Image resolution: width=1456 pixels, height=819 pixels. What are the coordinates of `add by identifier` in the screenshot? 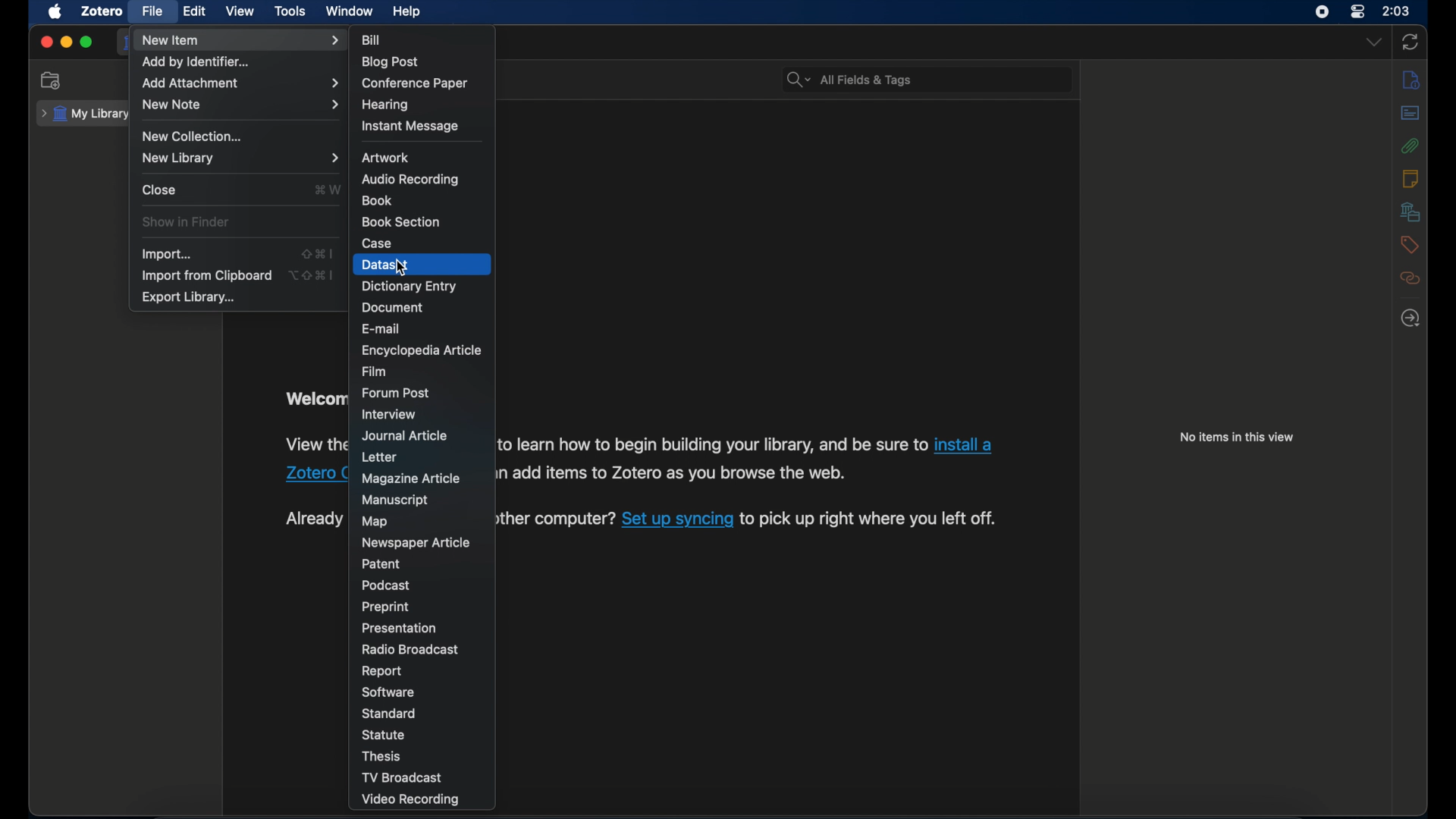 It's located at (197, 64).